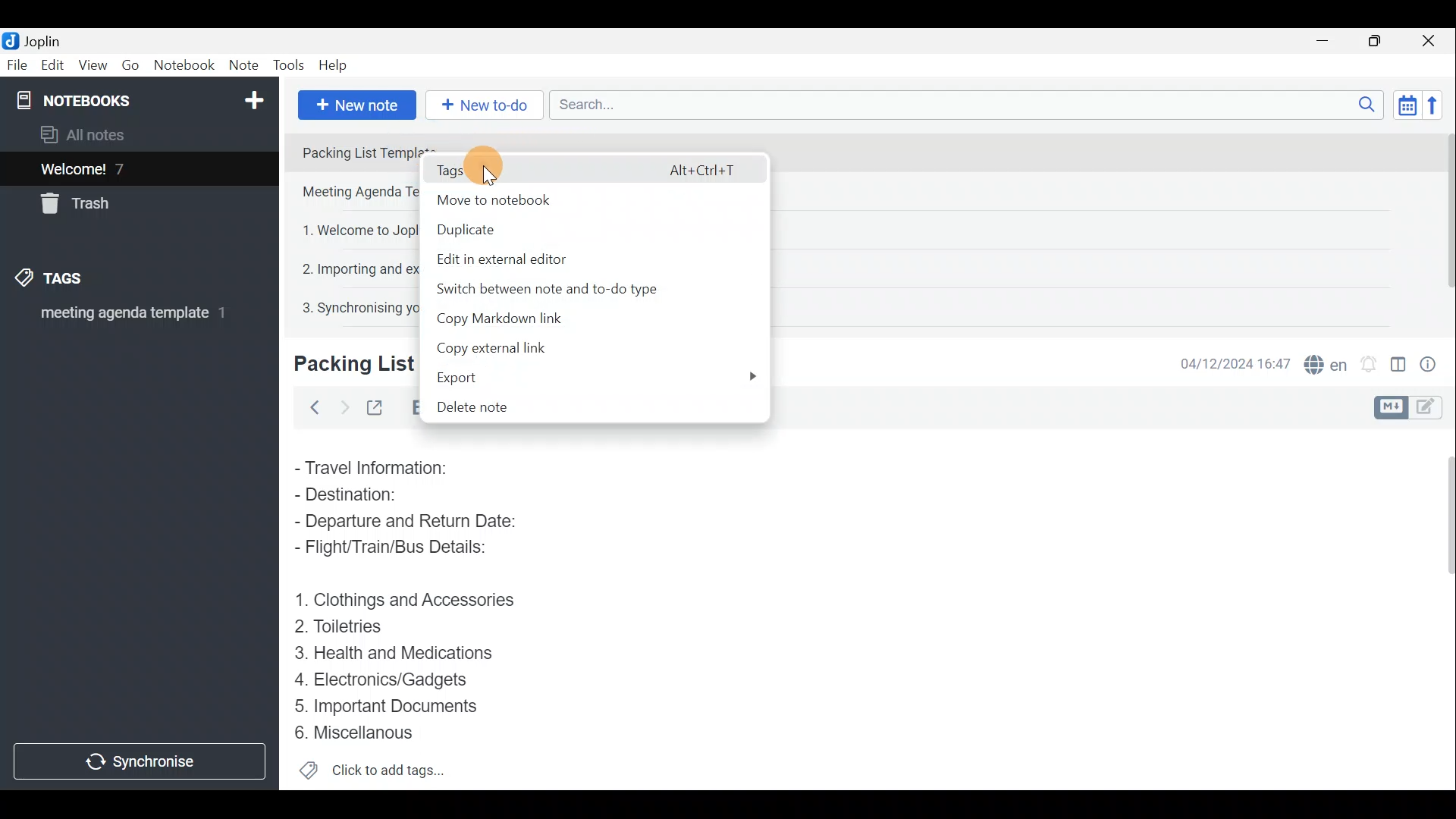 The width and height of the screenshot is (1456, 819). I want to click on Spell checker, so click(1322, 362).